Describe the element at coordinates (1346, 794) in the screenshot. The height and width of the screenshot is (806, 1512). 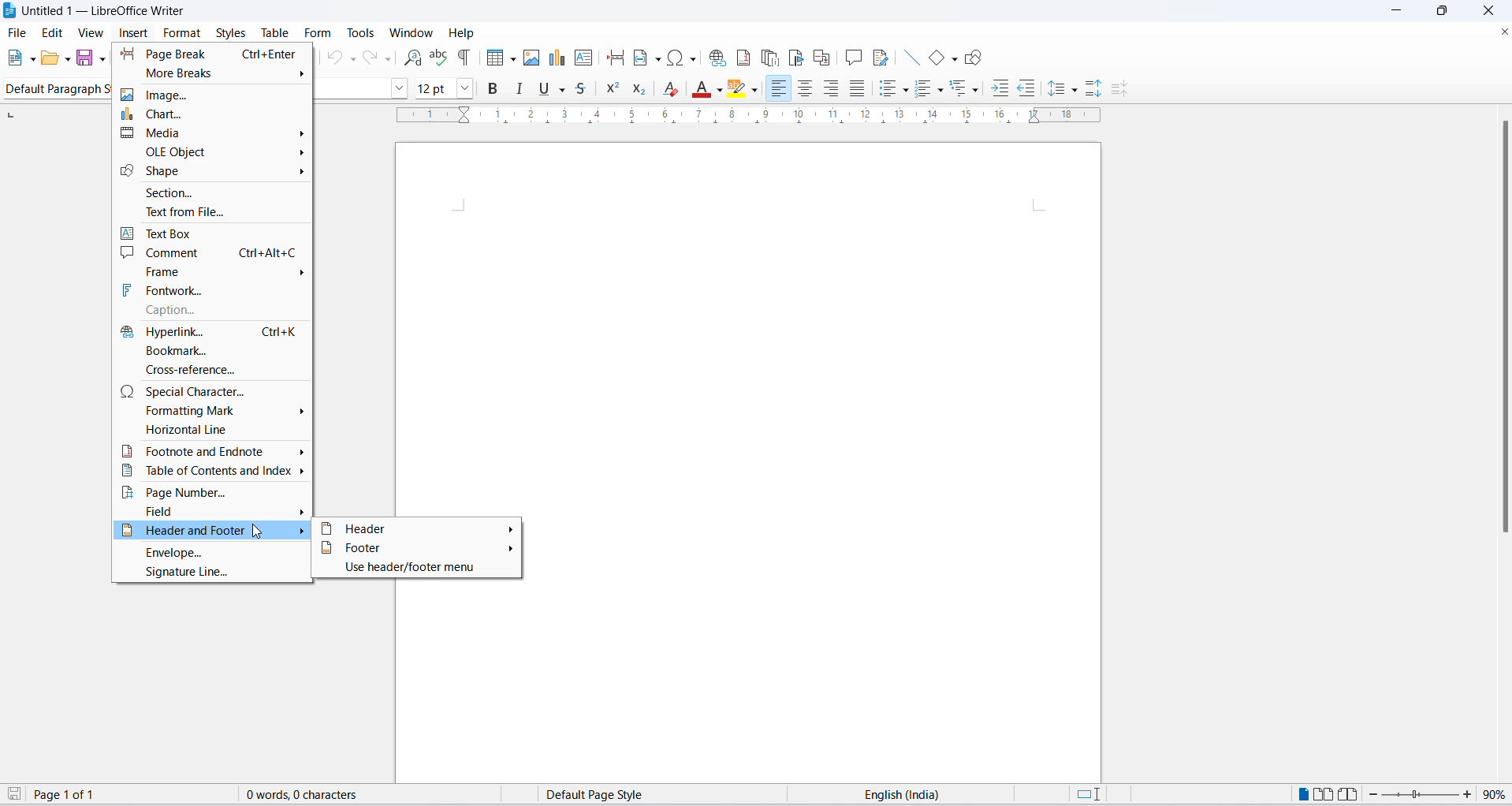
I see `book view` at that location.